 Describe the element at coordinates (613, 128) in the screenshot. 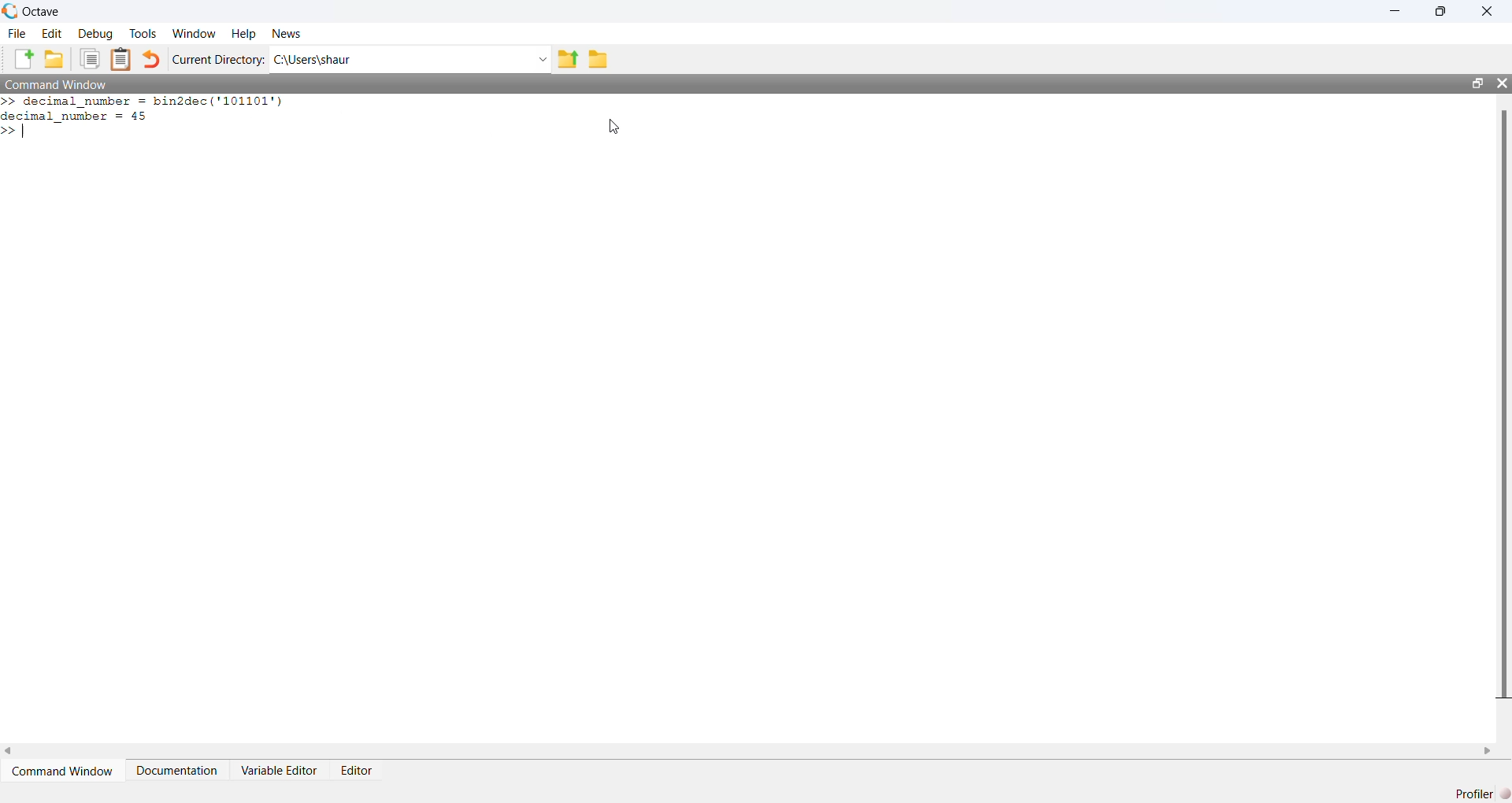

I see `cursor` at that location.